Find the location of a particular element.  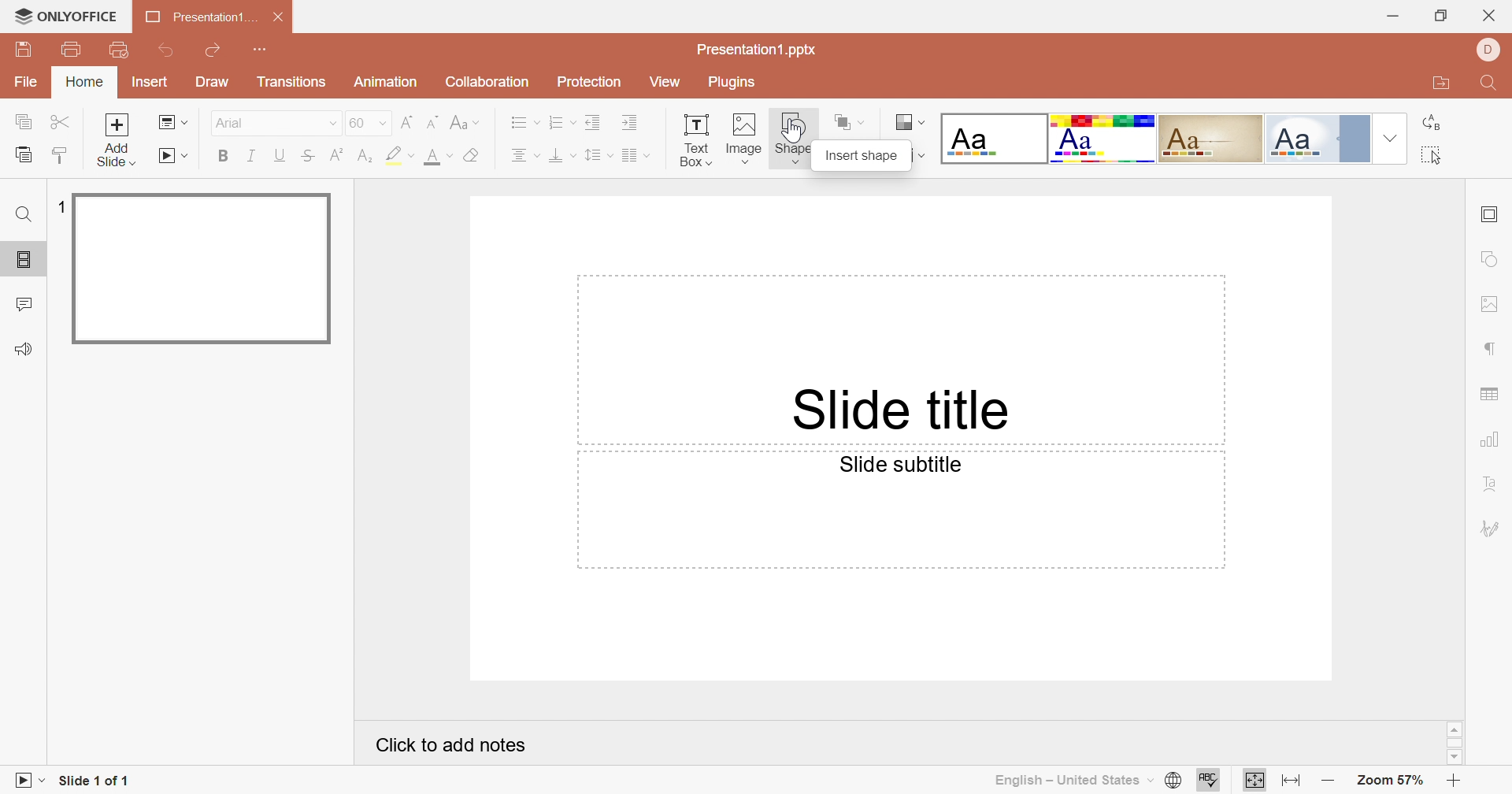

Restore down is located at coordinates (1443, 17).